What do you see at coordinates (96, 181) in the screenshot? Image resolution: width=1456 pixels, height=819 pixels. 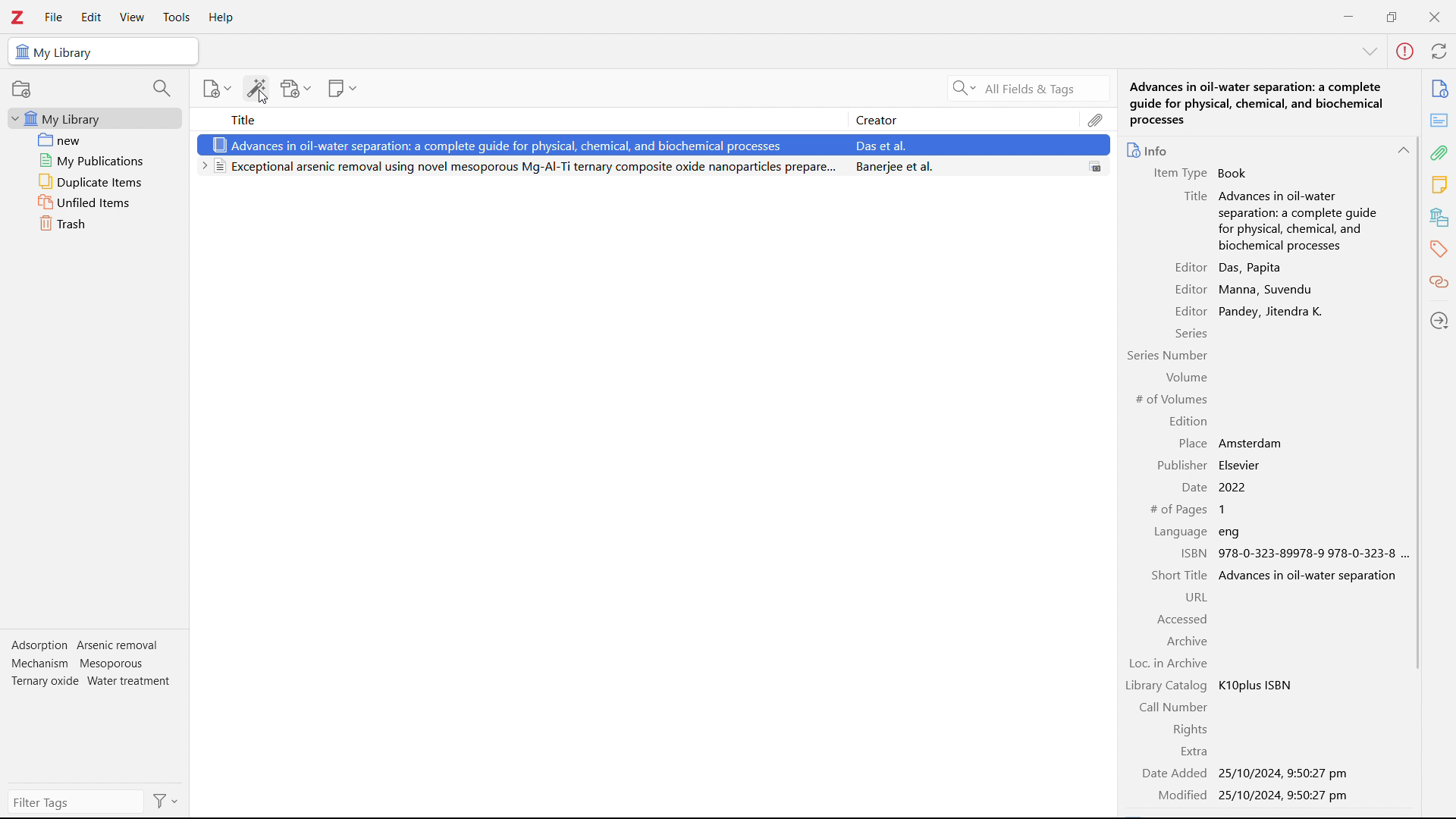 I see `duplicate items` at bounding box center [96, 181].